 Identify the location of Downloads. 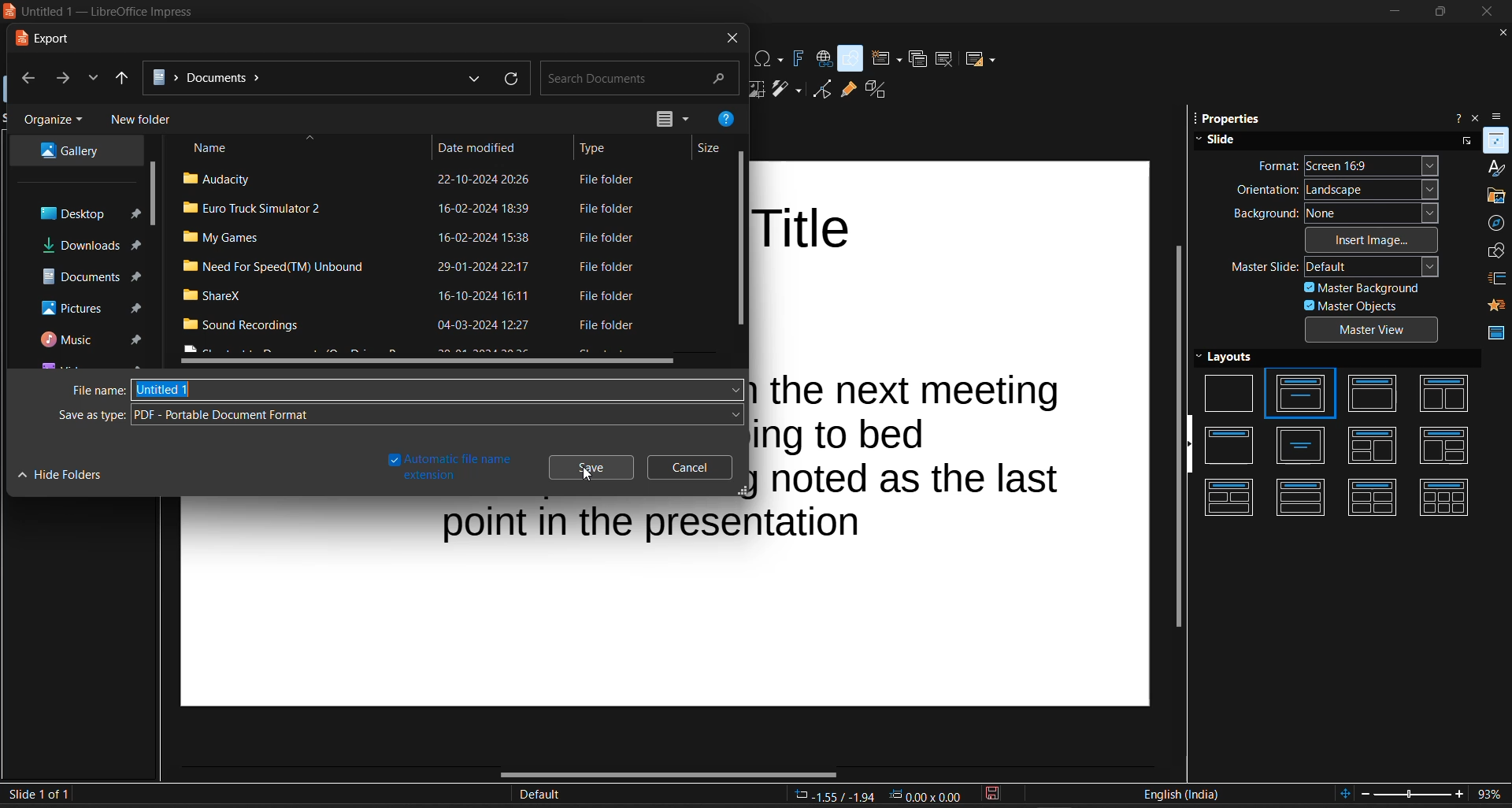
(89, 245).